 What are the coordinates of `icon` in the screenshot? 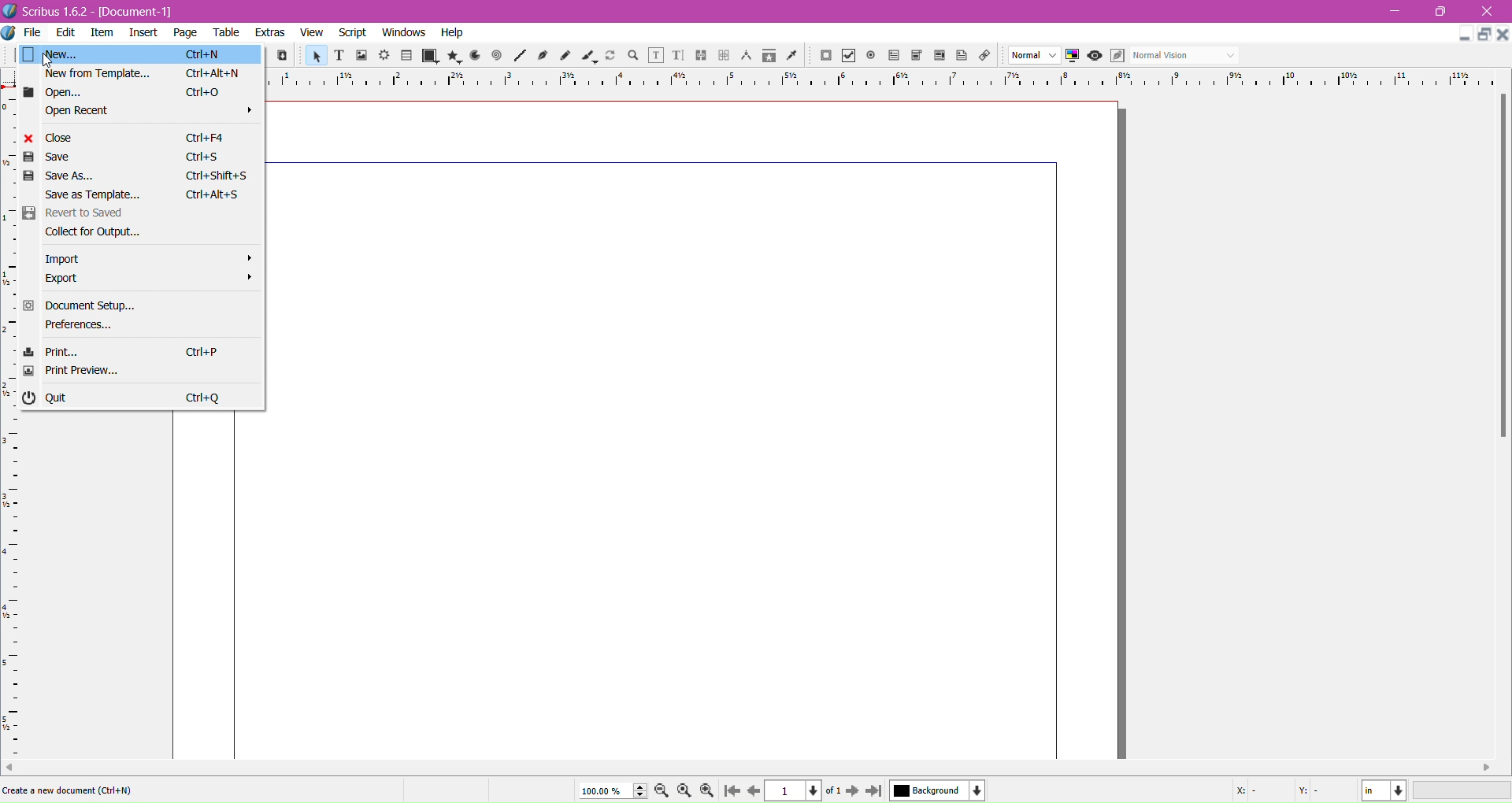 It's located at (518, 57).